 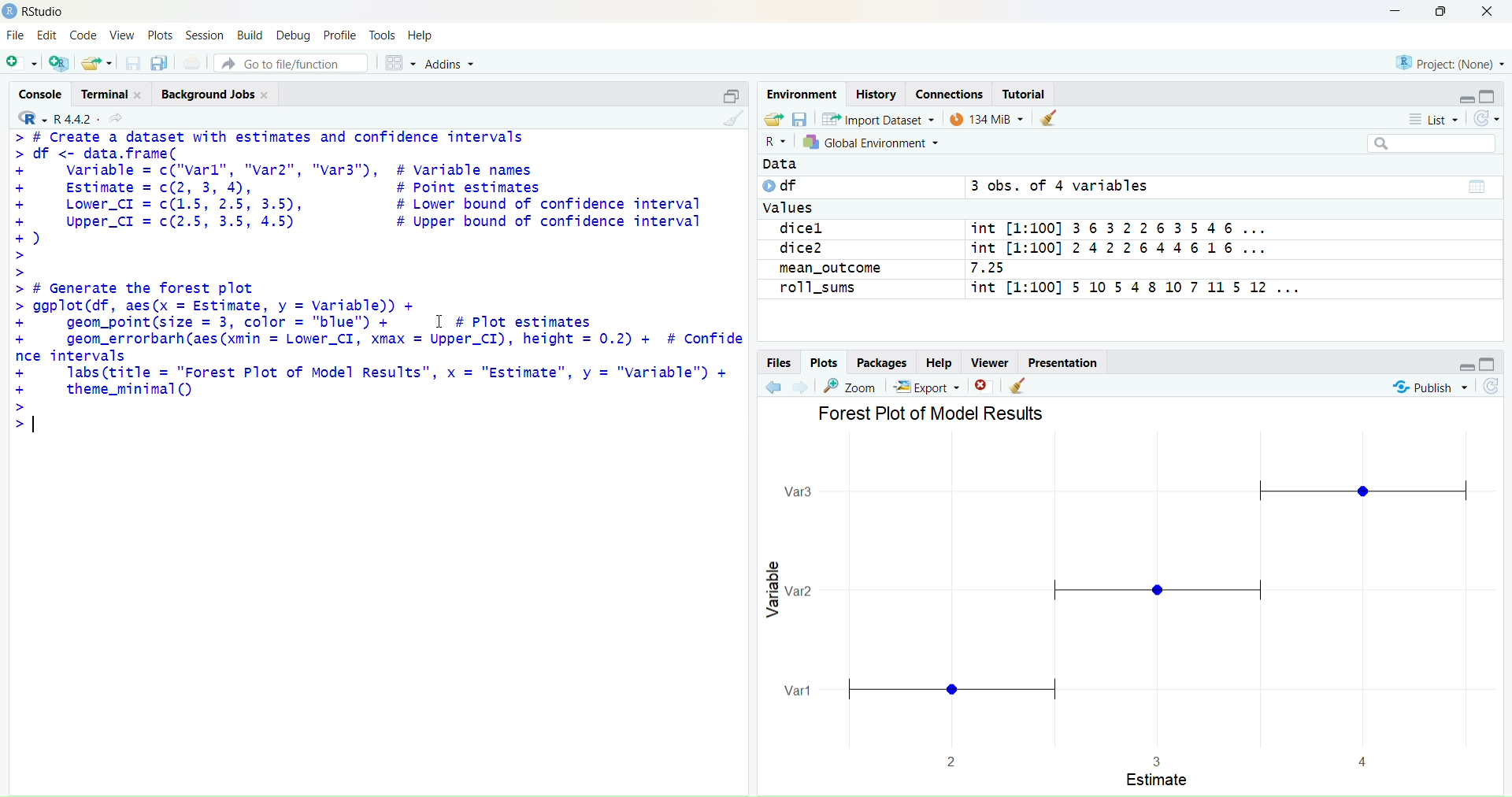 What do you see at coordinates (771, 590) in the screenshot?
I see `Variable` at bounding box center [771, 590].